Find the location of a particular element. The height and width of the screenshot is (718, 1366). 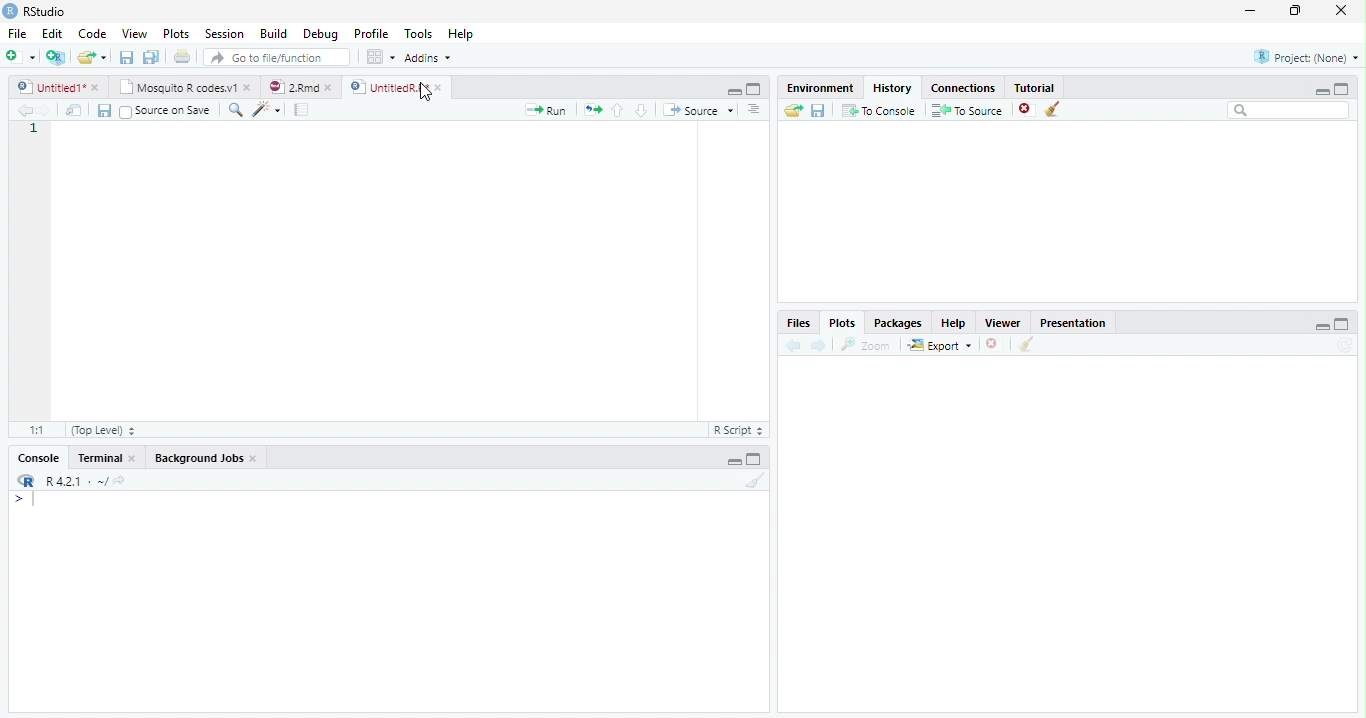

Packages is located at coordinates (900, 323).